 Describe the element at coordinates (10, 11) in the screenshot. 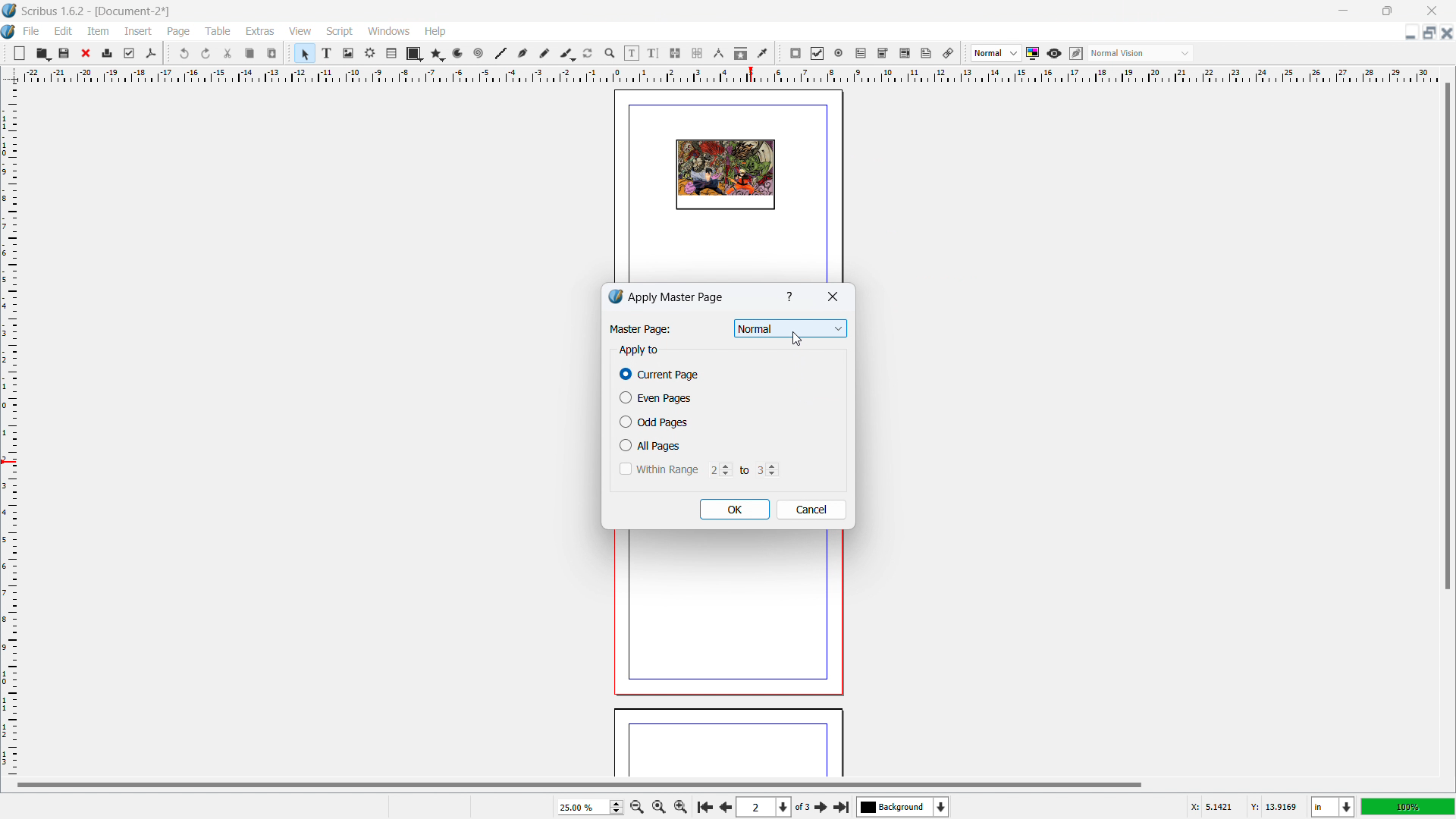

I see `logo` at that location.